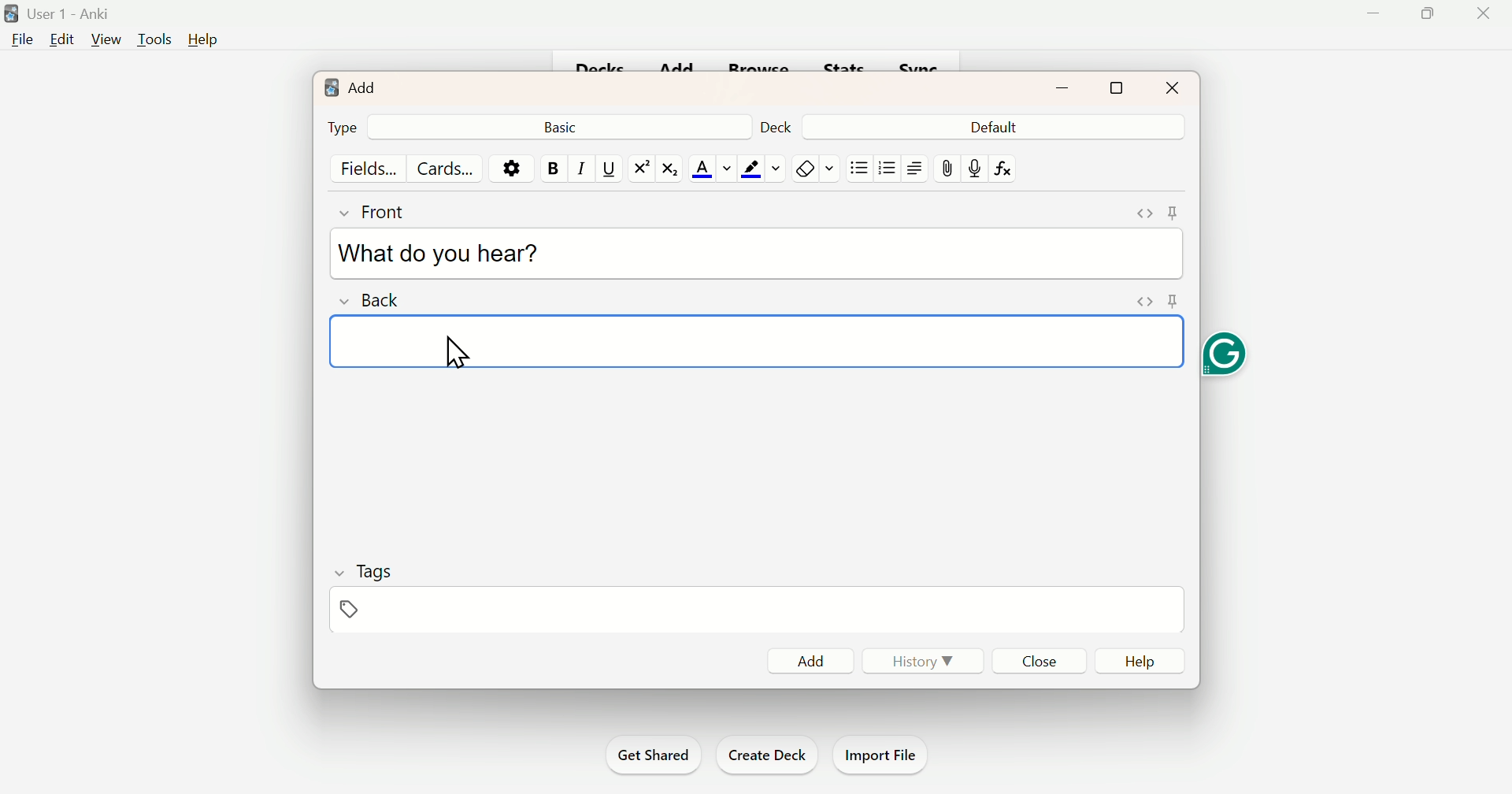 This screenshot has width=1512, height=794. Describe the element at coordinates (762, 169) in the screenshot. I see `Text Highlighting Color` at that location.